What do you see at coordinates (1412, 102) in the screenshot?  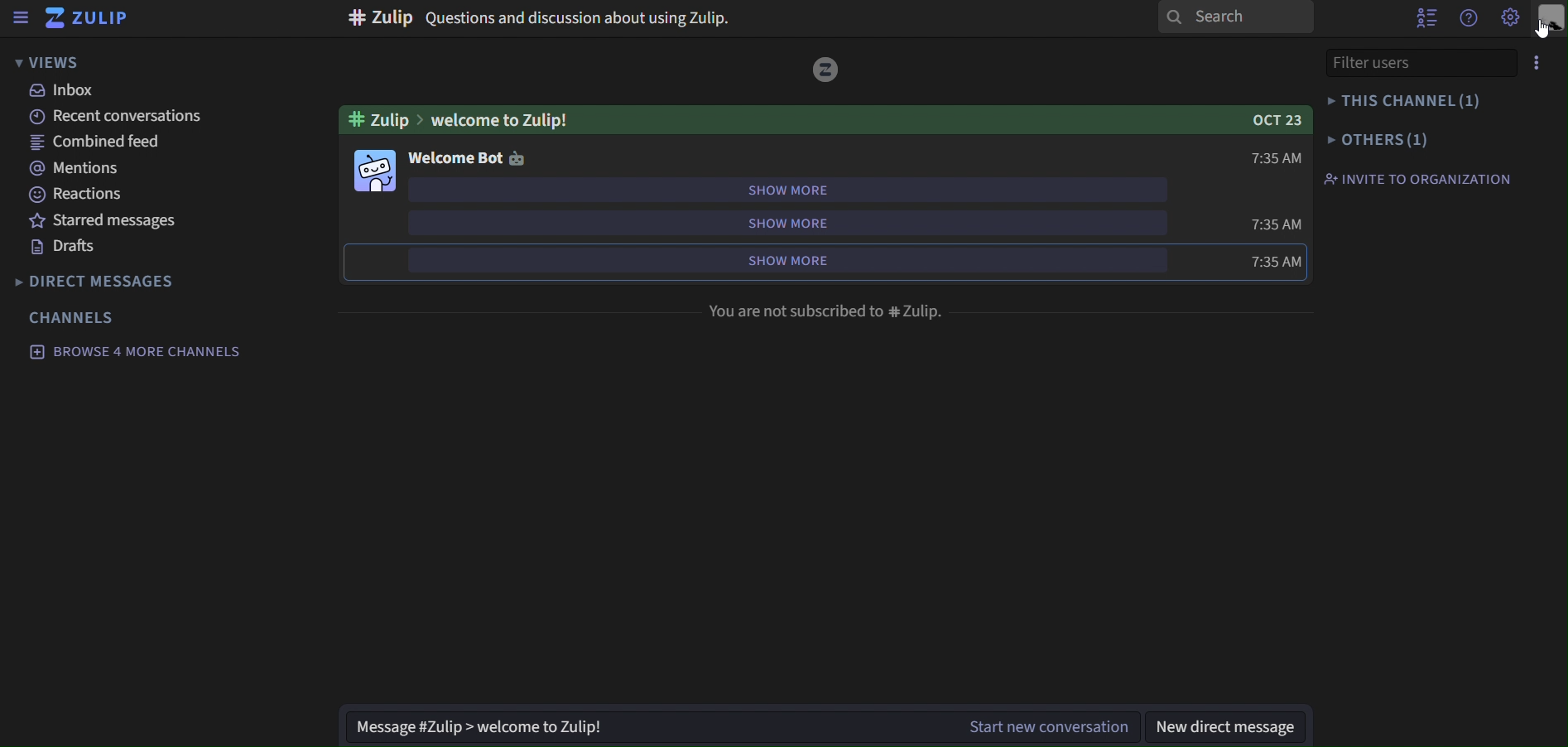 I see `this channels` at bounding box center [1412, 102].